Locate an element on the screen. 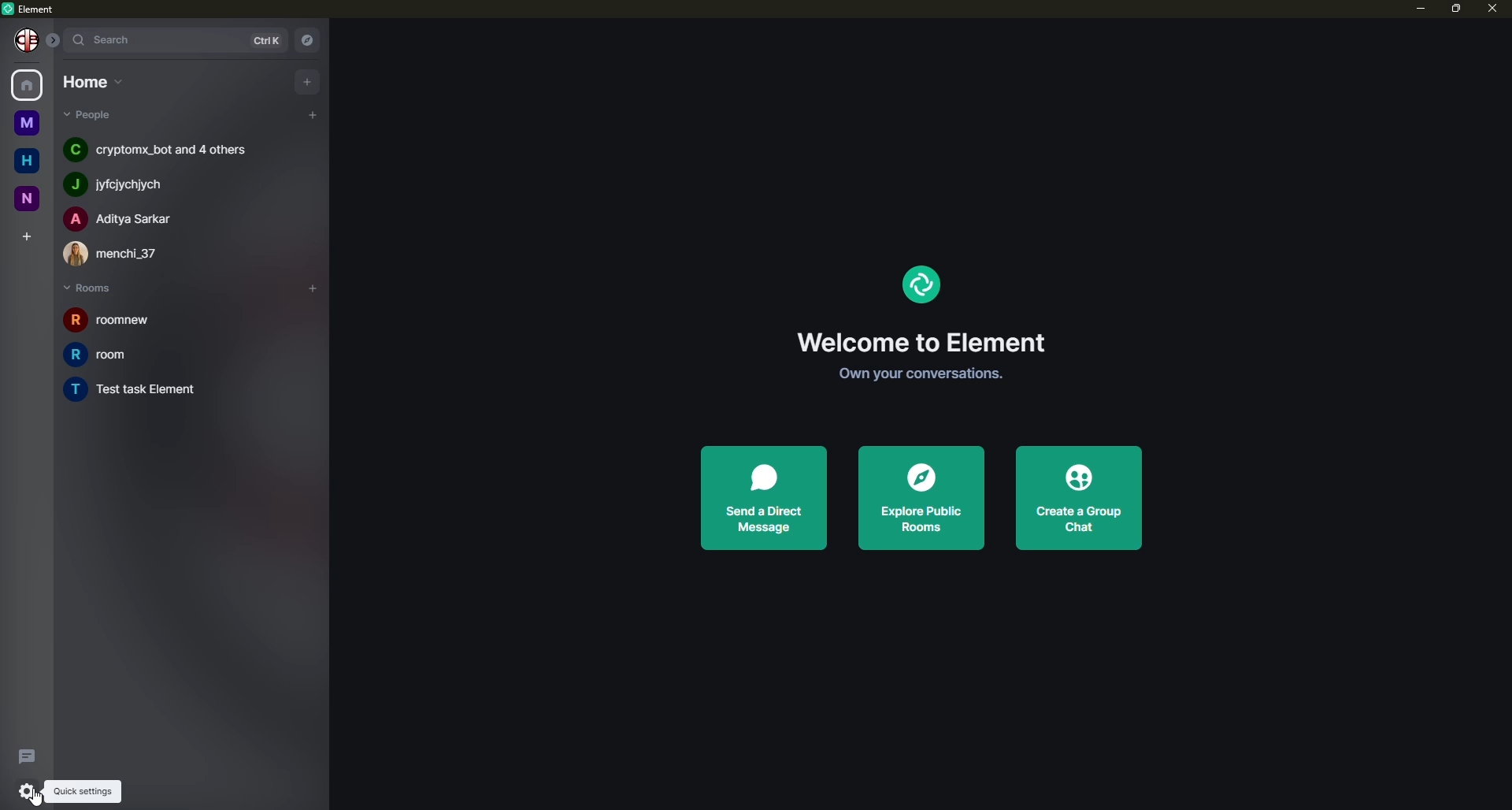  room is located at coordinates (113, 355).